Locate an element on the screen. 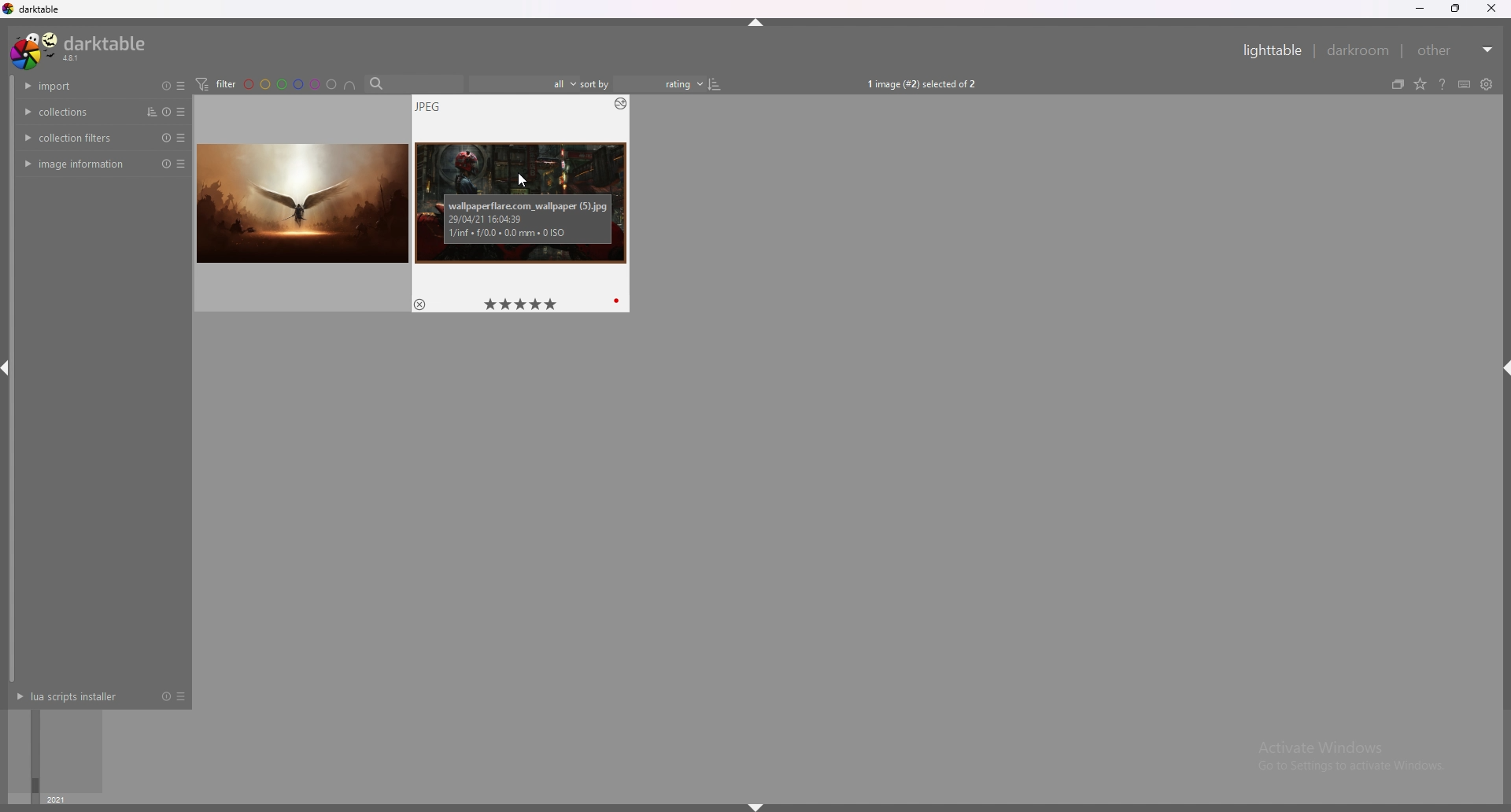  collections is located at coordinates (74, 112).